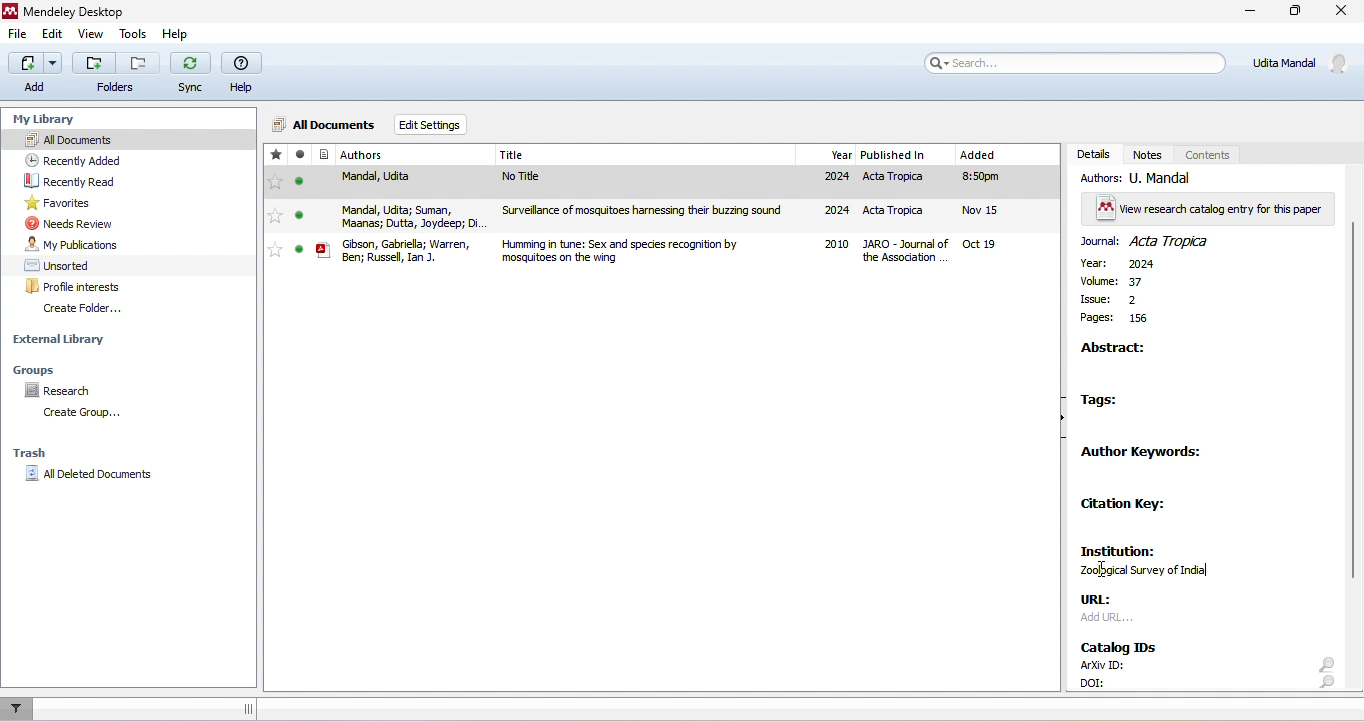 The height and width of the screenshot is (722, 1364). Describe the element at coordinates (52, 120) in the screenshot. I see `my library` at that location.